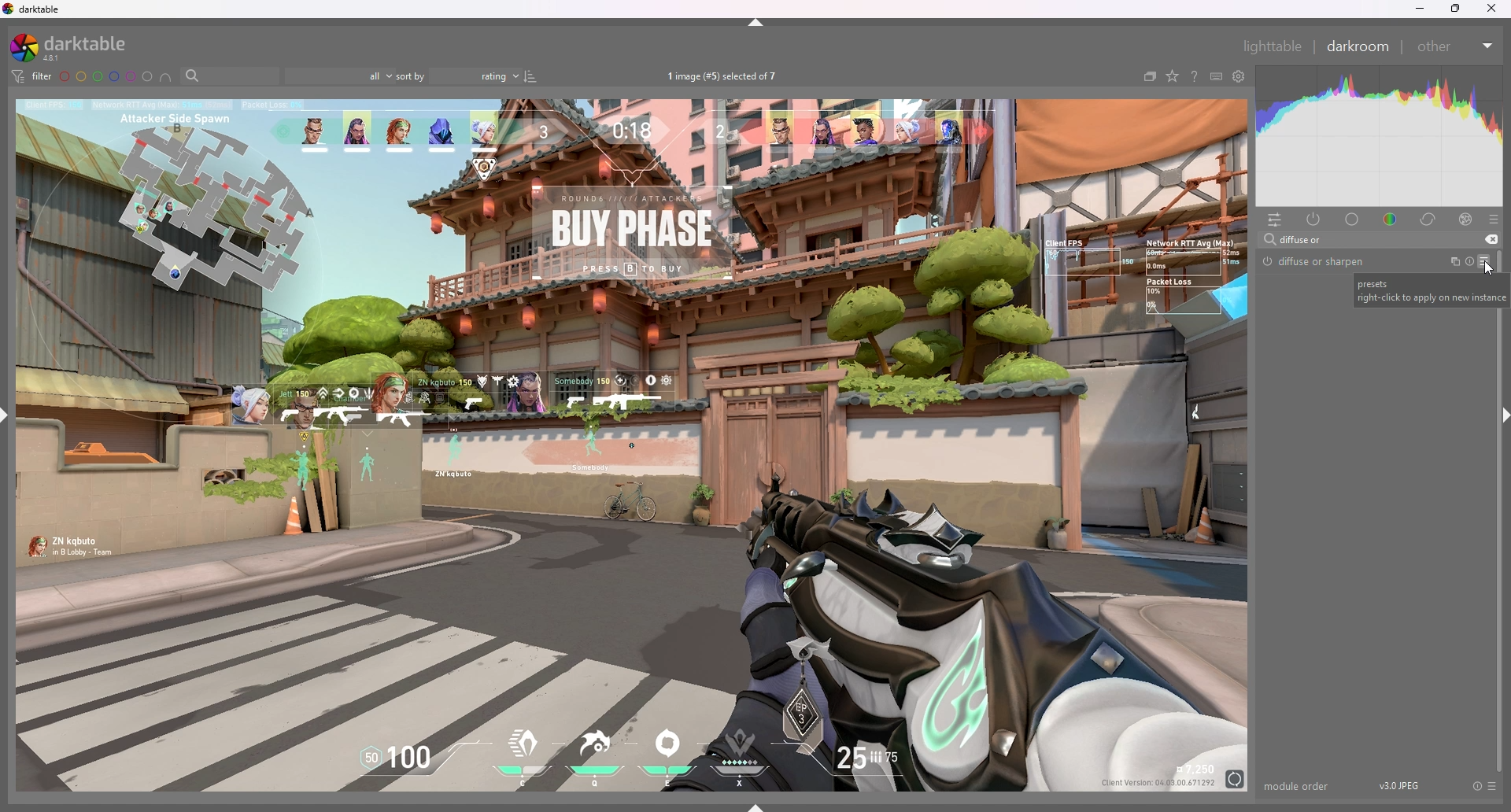 The height and width of the screenshot is (812, 1511). What do you see at coordinates (77, 46) in the screenshot?
I see `darktable` at bounding box center [77, 46].